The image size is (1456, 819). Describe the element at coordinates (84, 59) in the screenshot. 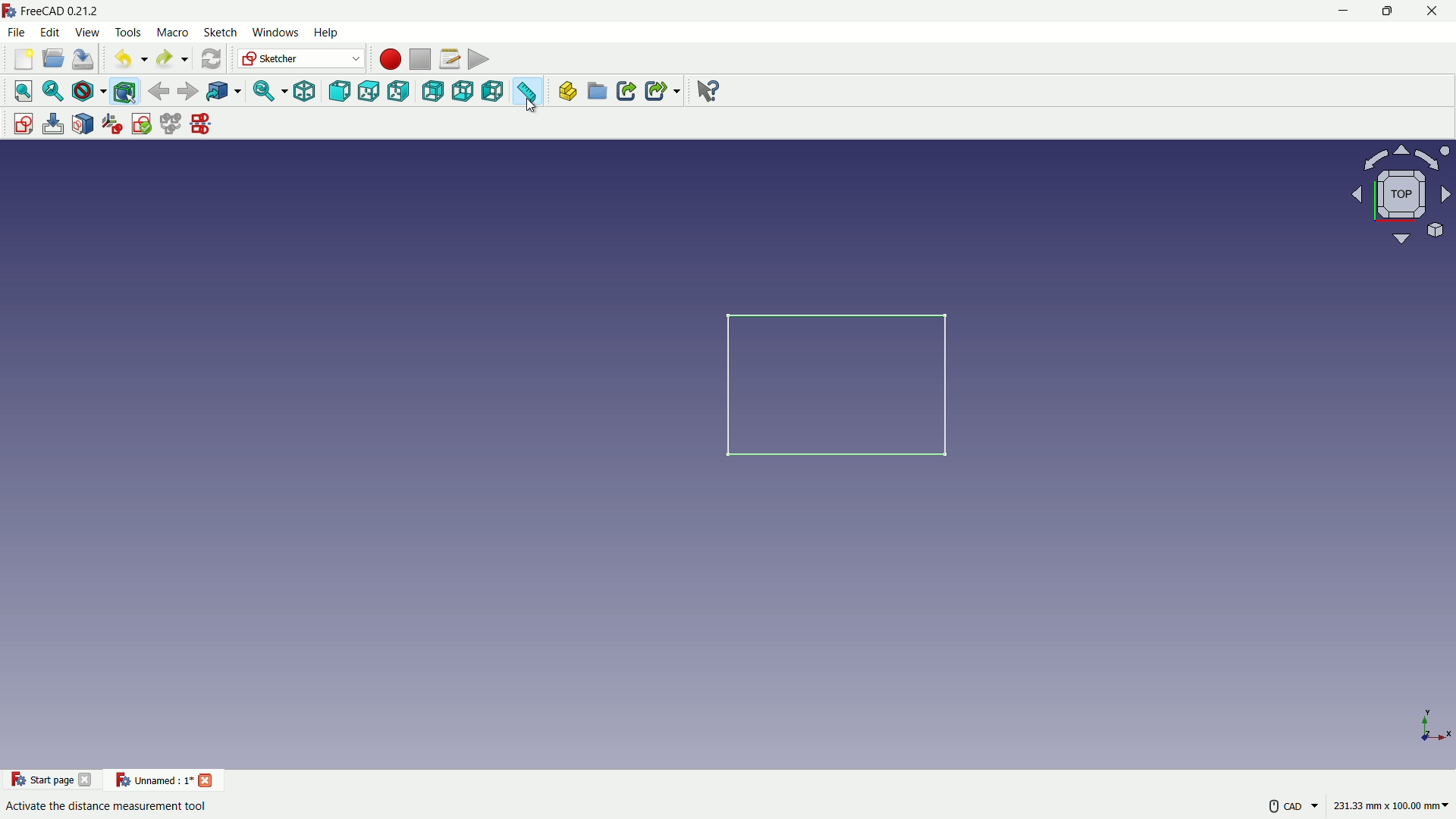

I see `save` at that location.